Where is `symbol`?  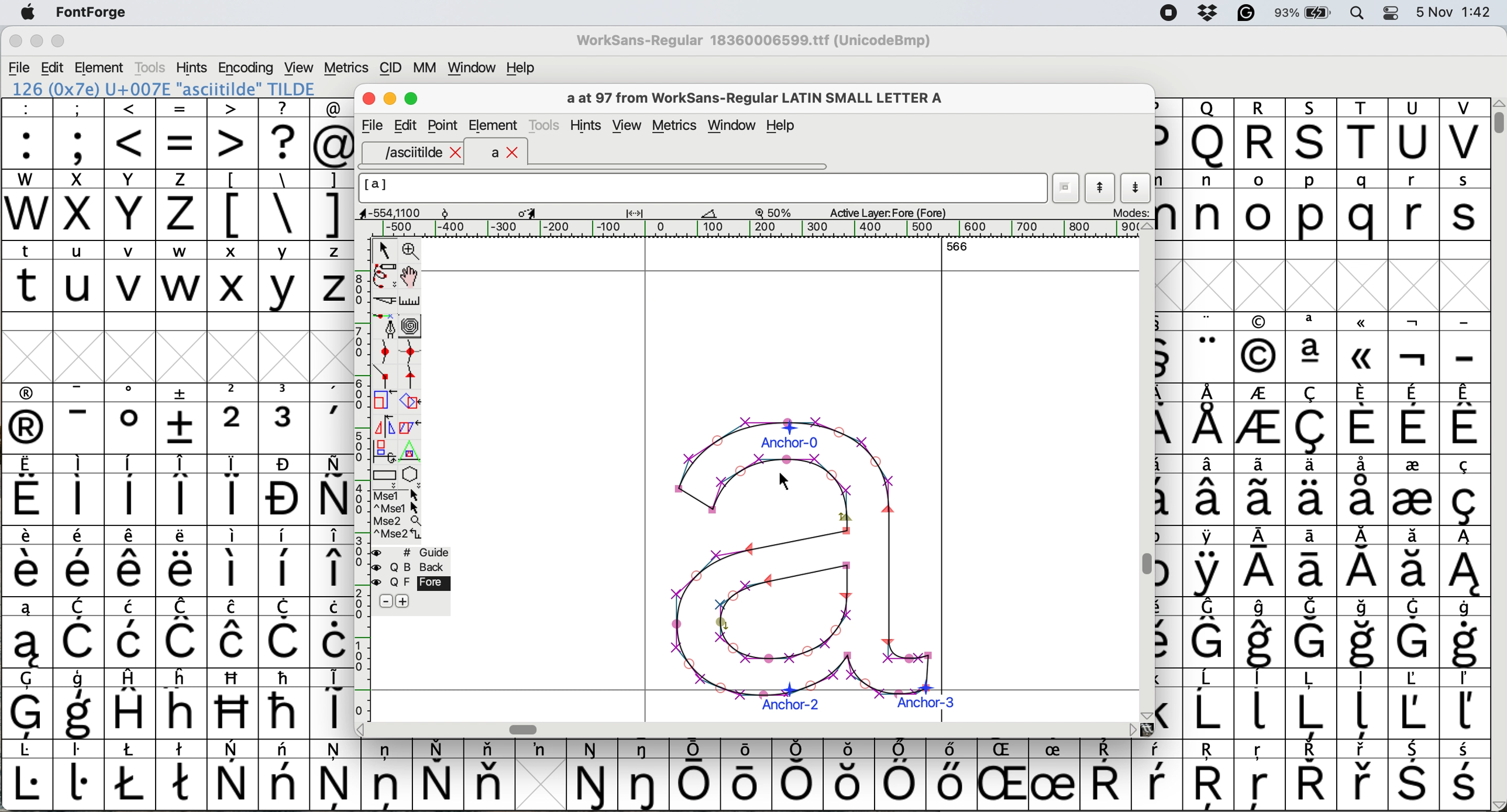
symbol is located at coordinates (1312, 347).